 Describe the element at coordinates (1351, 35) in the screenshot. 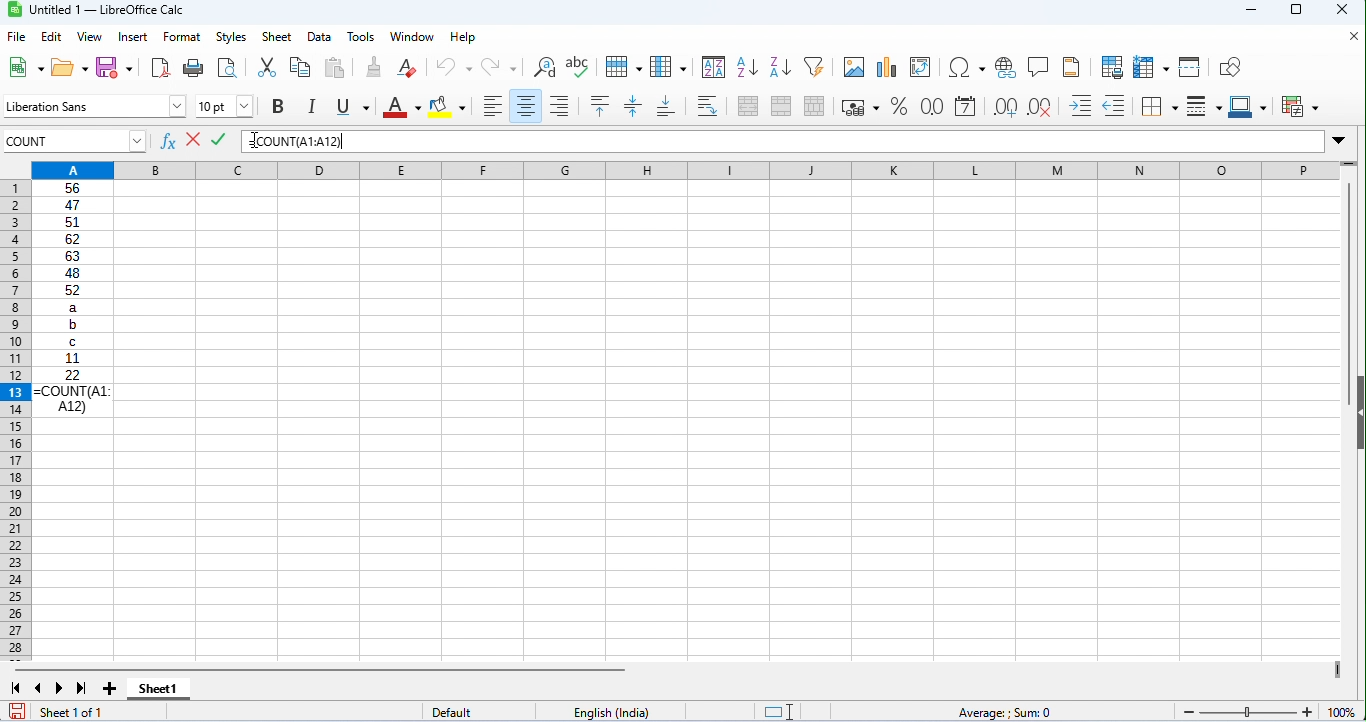

I see `close` at that location.